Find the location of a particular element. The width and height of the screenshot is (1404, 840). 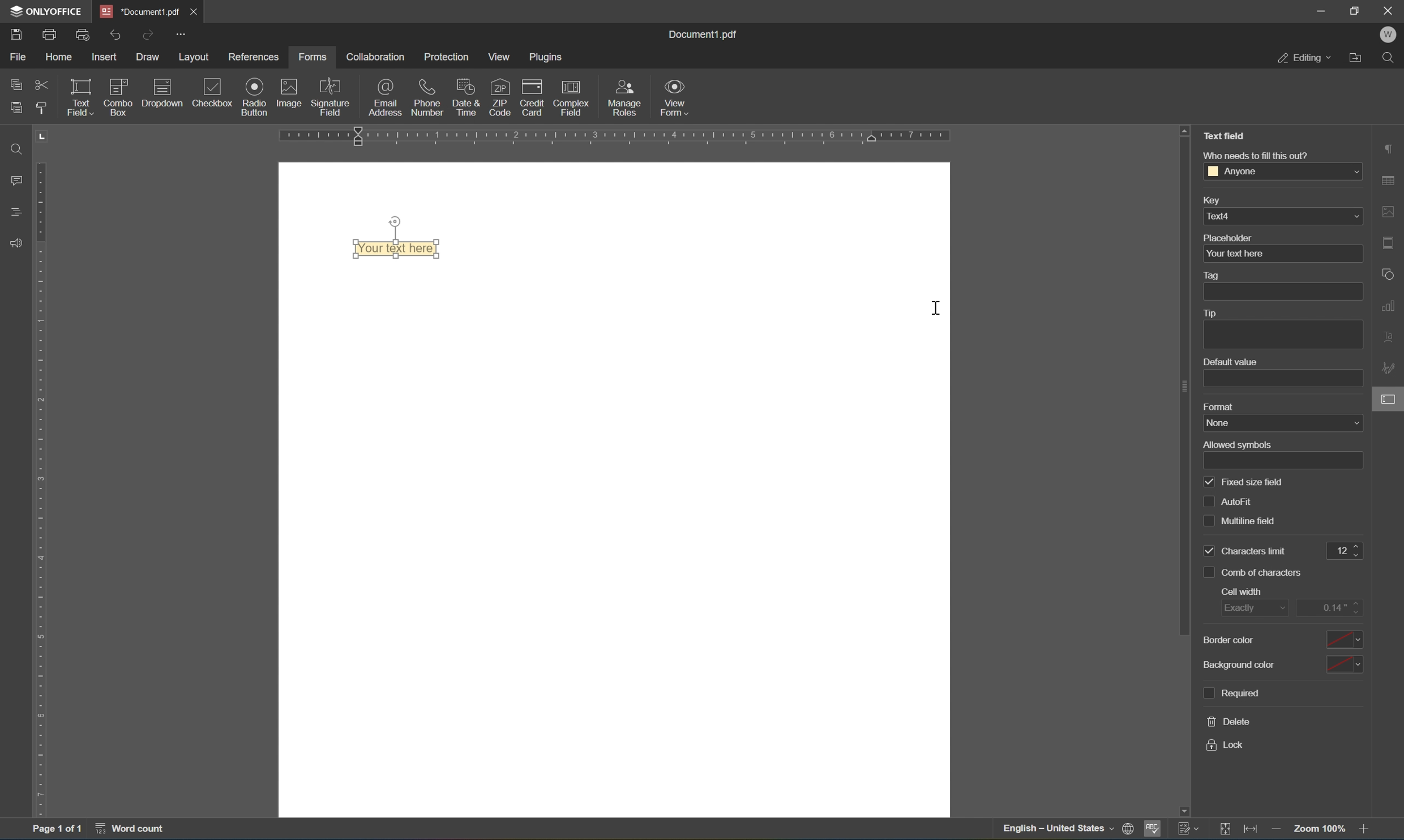

ruler is located at coordinates (620, 134).